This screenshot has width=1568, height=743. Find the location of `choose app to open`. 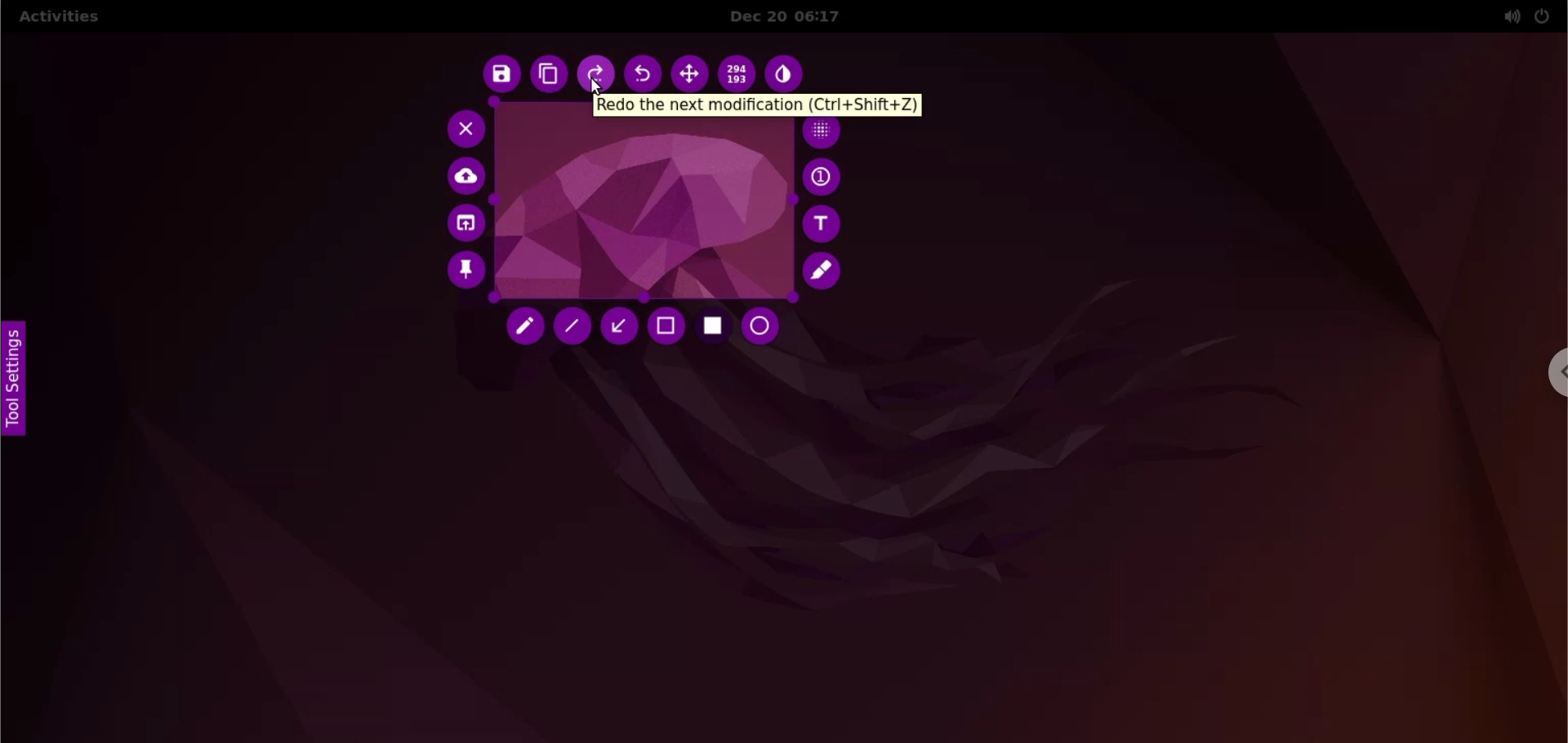

choose app to open is located at coordinates (464, 225).